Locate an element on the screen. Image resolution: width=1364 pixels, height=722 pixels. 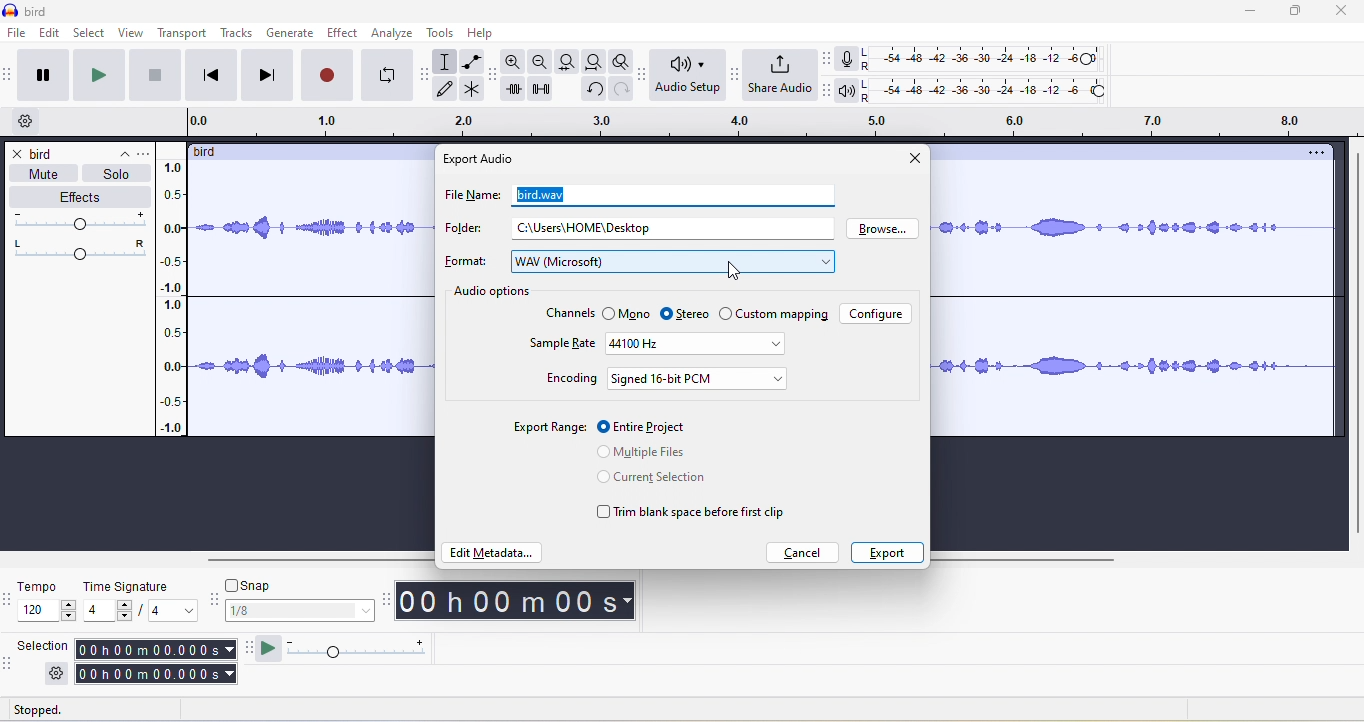
horizontal scroll bar is located at coordinates (317, 561).